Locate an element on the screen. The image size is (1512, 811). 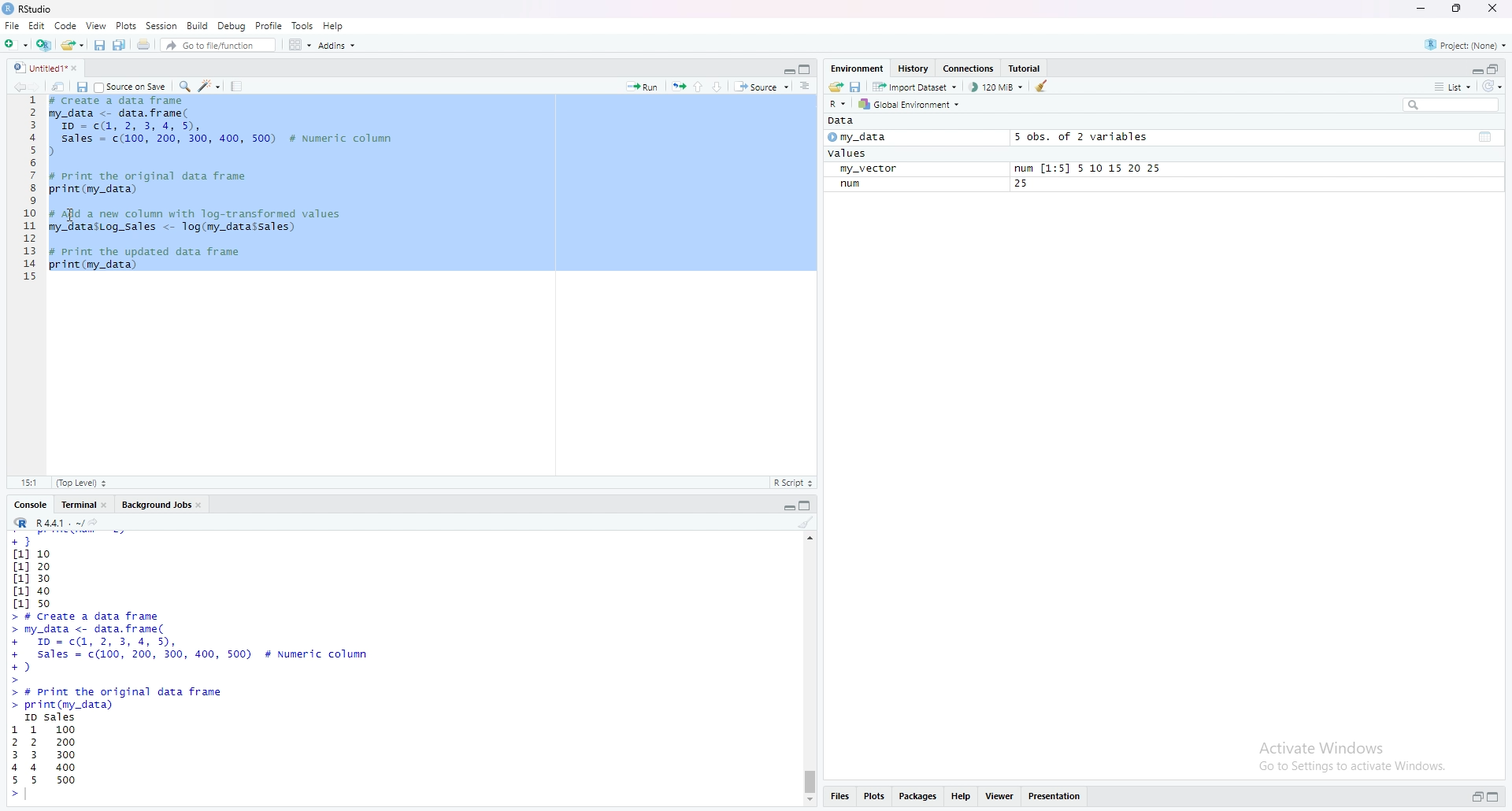
R is located at coordinates (20, 524).